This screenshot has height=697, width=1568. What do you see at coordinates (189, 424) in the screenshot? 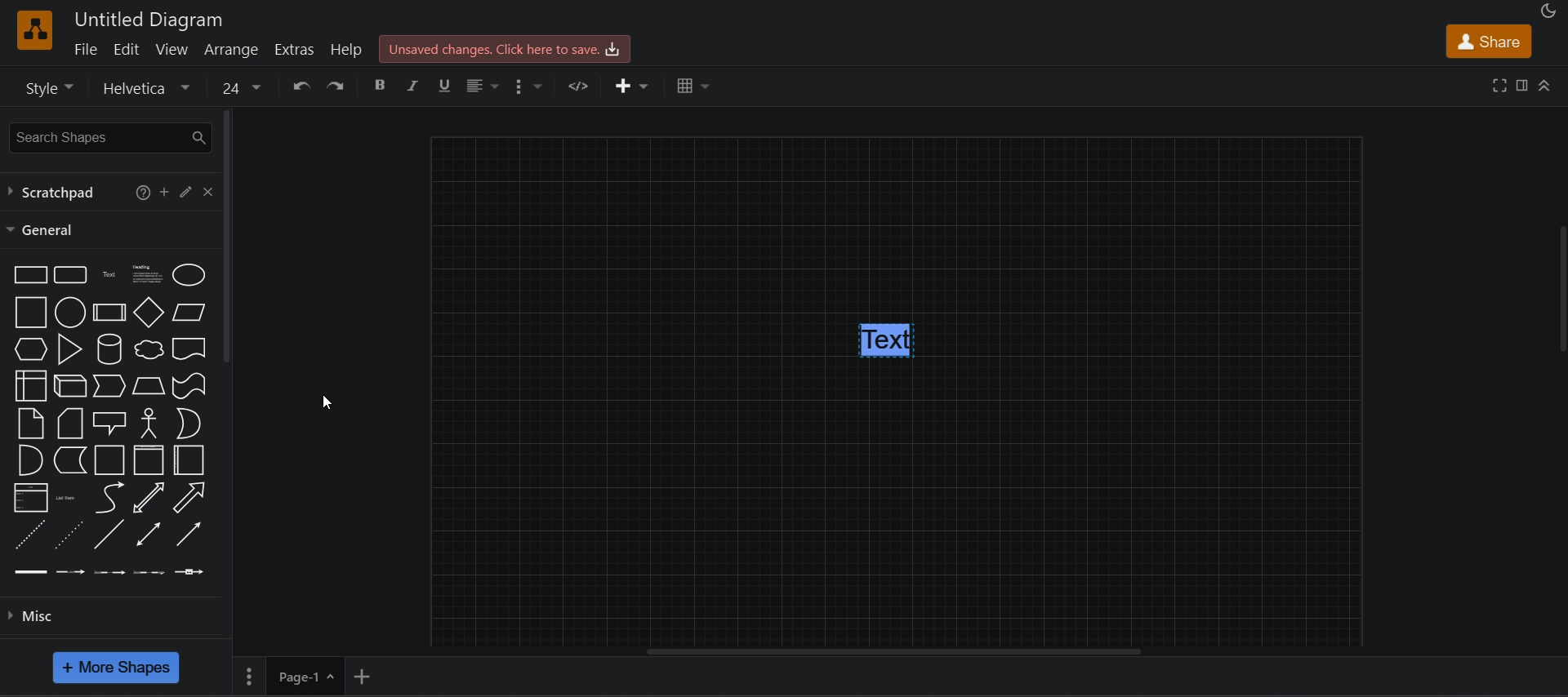
I see `Or` at bounding box center [189, 424].